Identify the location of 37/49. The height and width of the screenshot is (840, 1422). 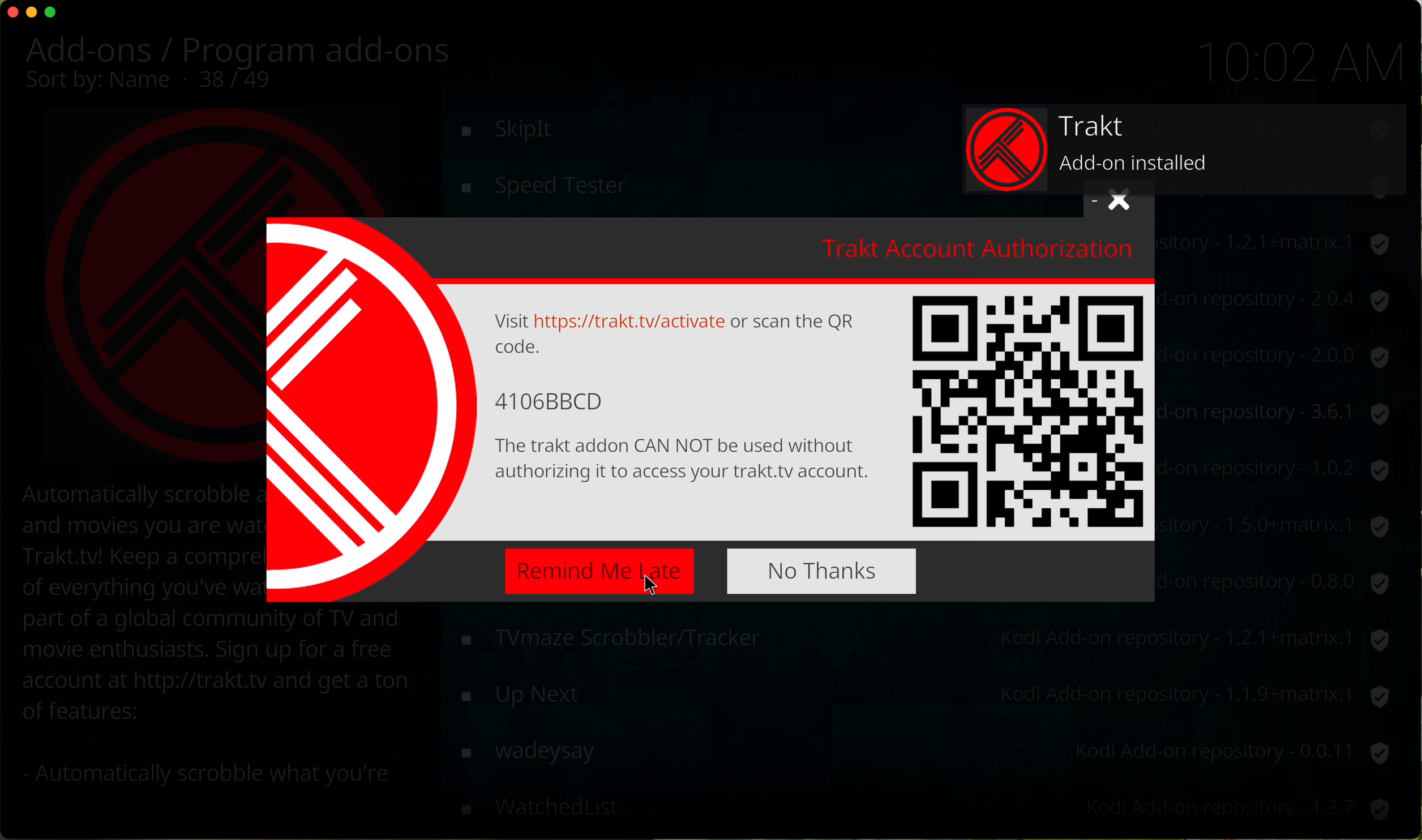
(241, 80).